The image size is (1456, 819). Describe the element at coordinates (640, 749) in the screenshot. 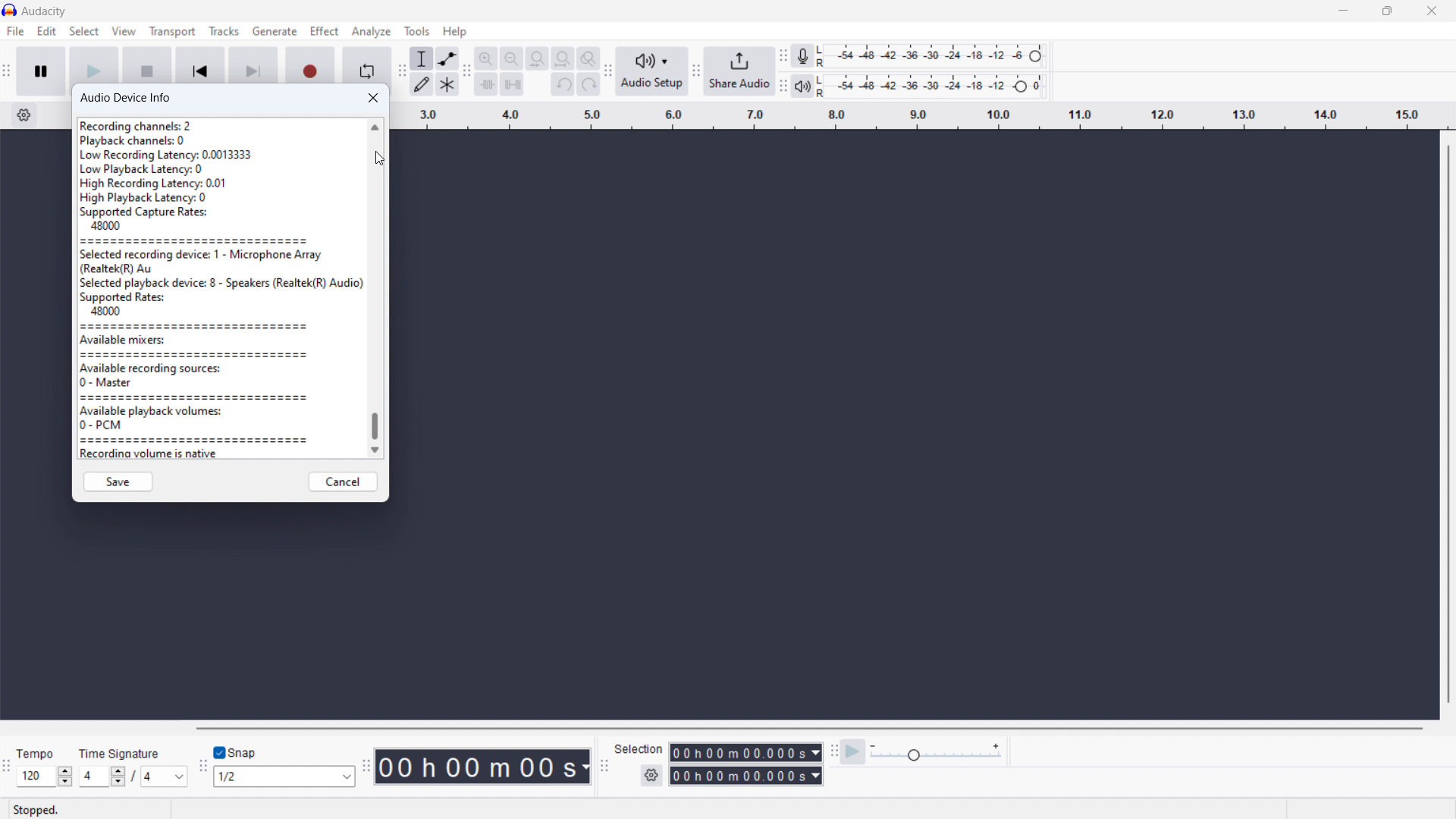

I see `Selection` at that location.